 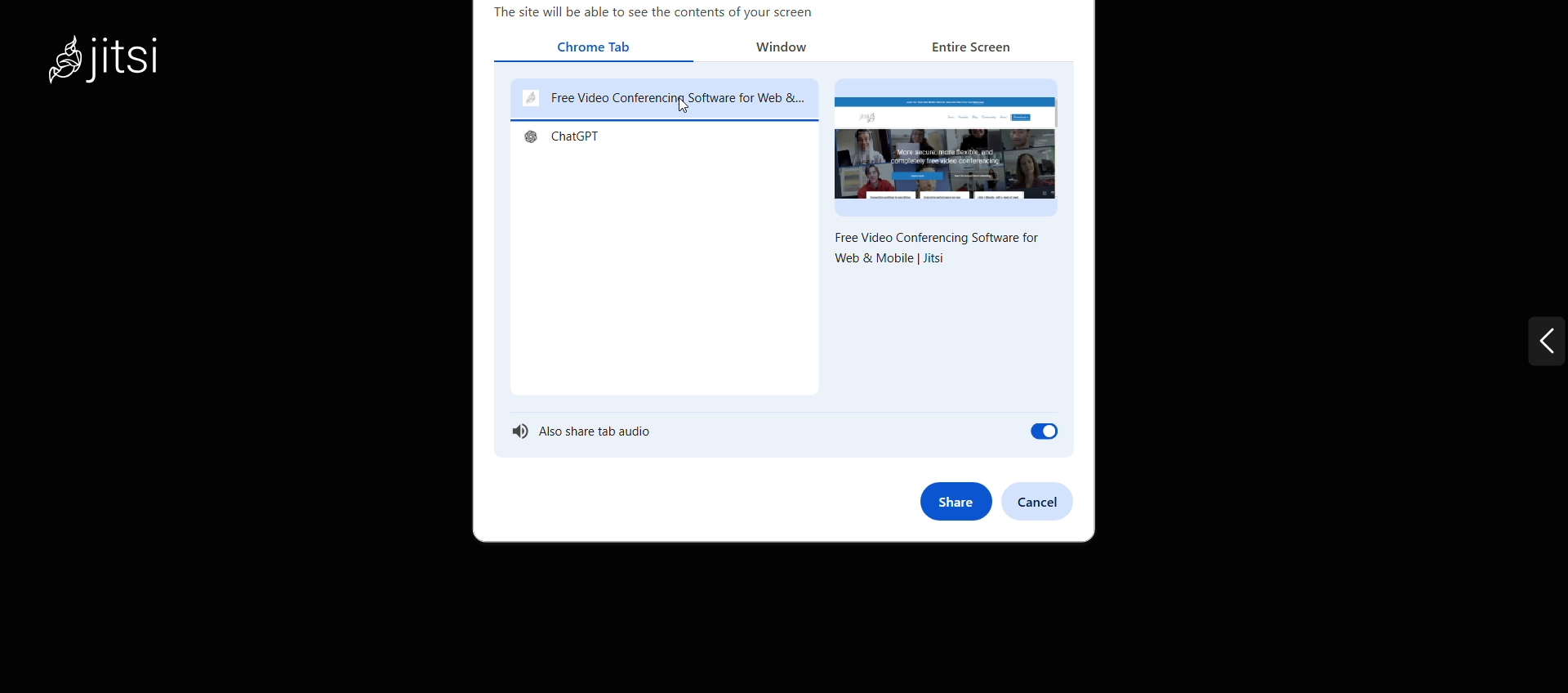 What do you see at coordinates (789, 48) in the screenshot?
I see `Window` at bounding box center [789, 48].